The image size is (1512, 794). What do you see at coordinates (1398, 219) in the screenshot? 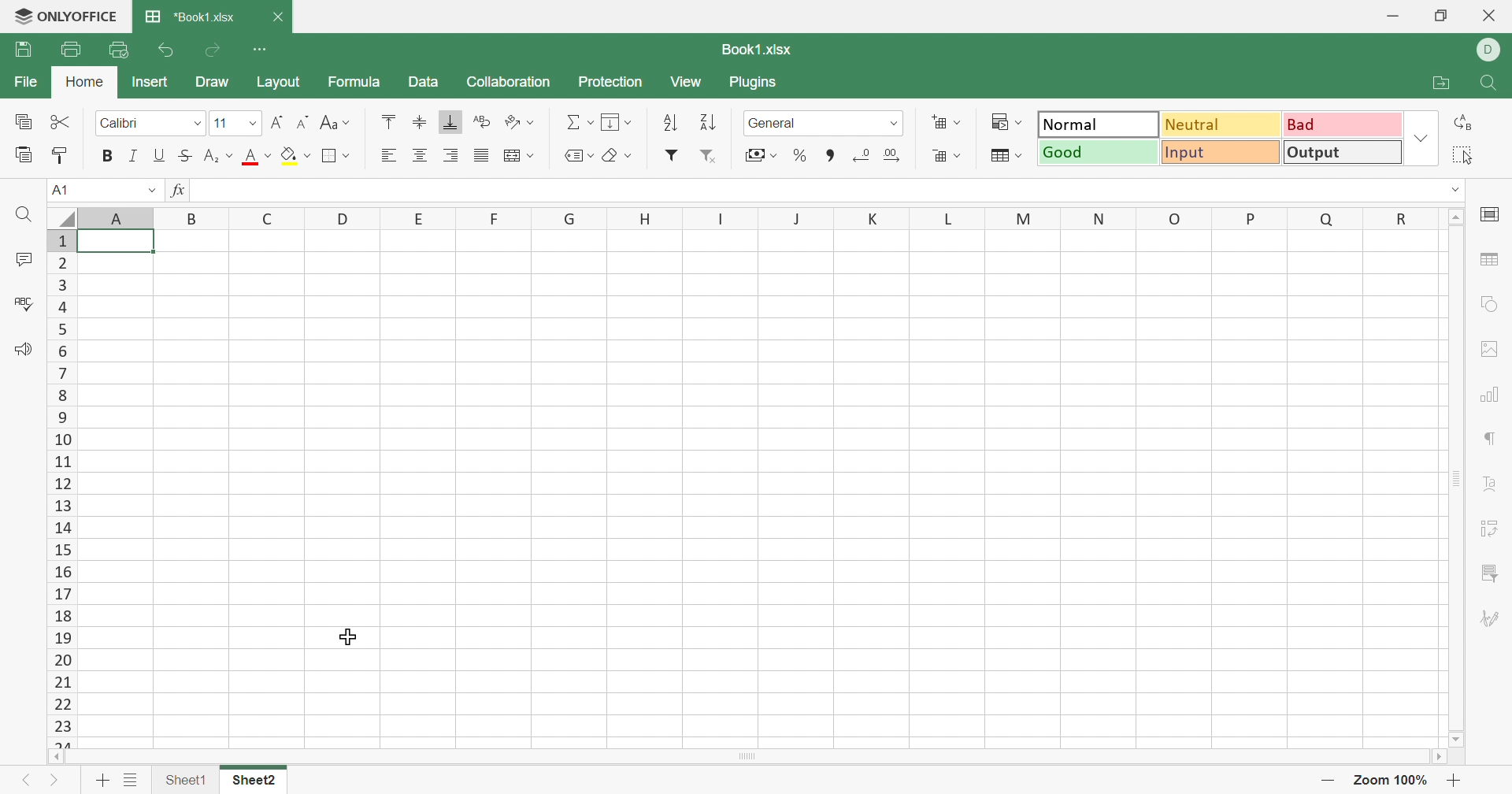
I see `R` at bounding box center [1398, 219].